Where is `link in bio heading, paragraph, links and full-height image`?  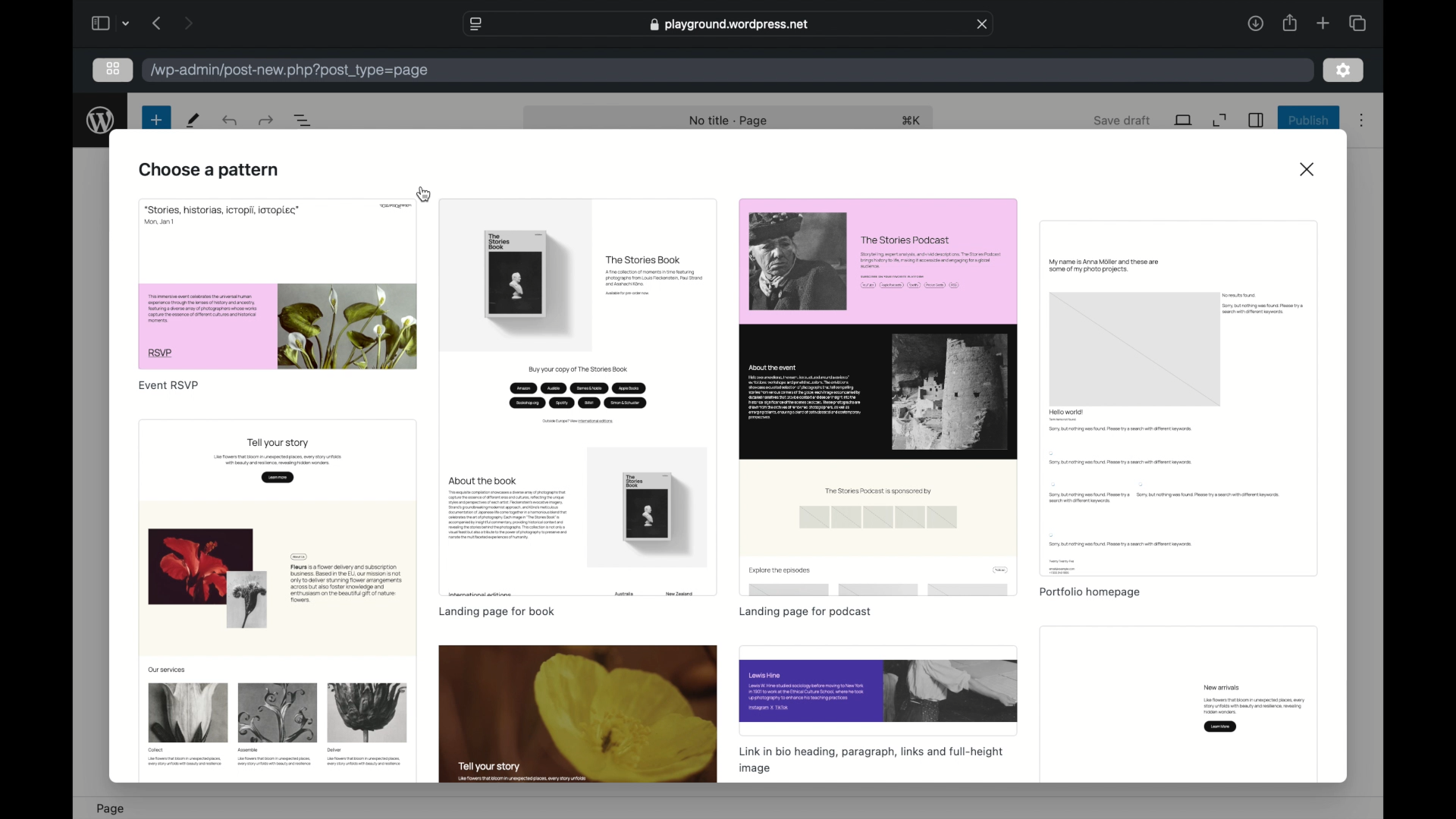
link in bio heading, paragraph, links and full-height image is located at coordinates (871, 761).